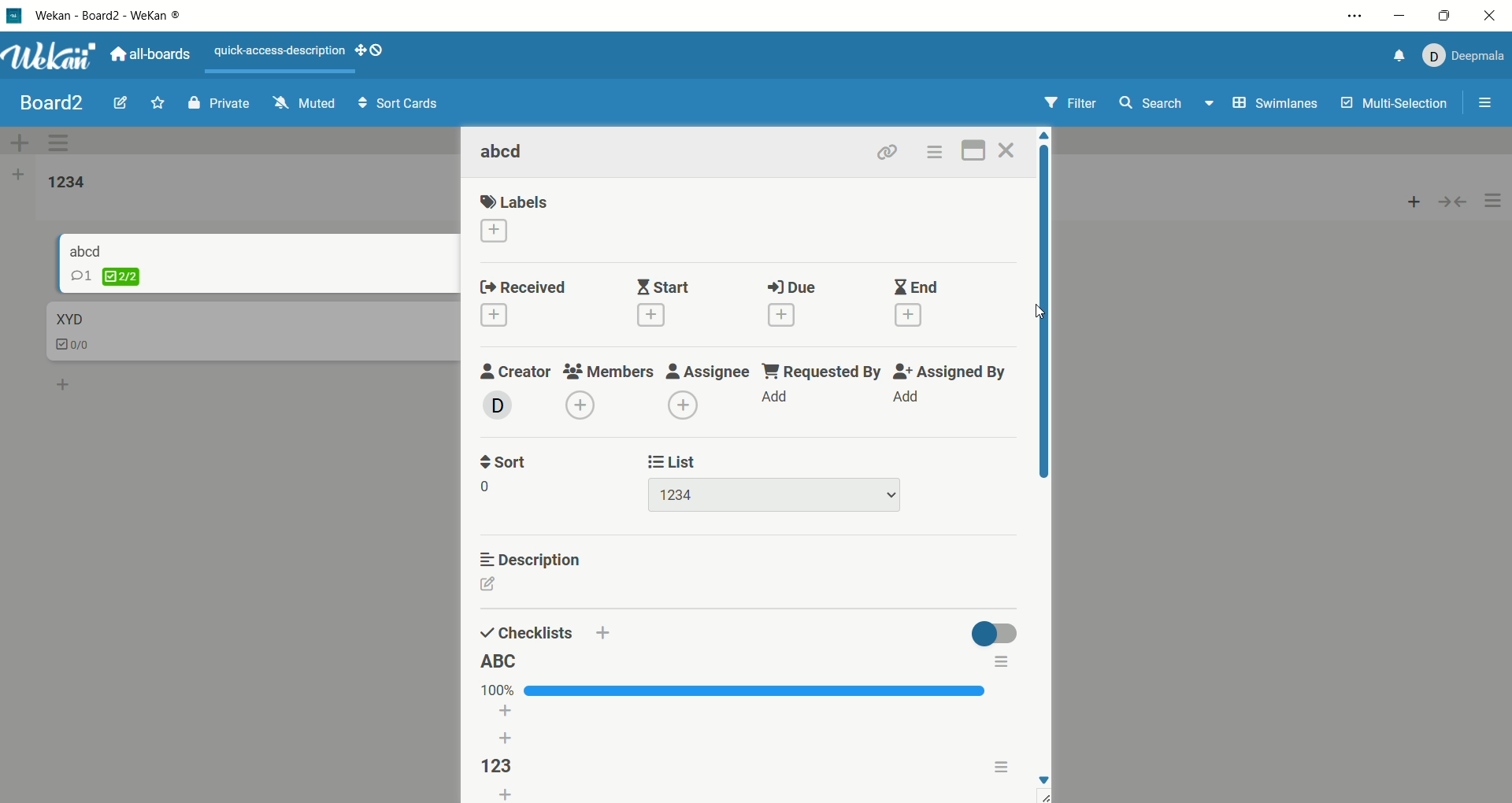 The image size is (1512, 803). I want to click on board title, so click(54, 103).